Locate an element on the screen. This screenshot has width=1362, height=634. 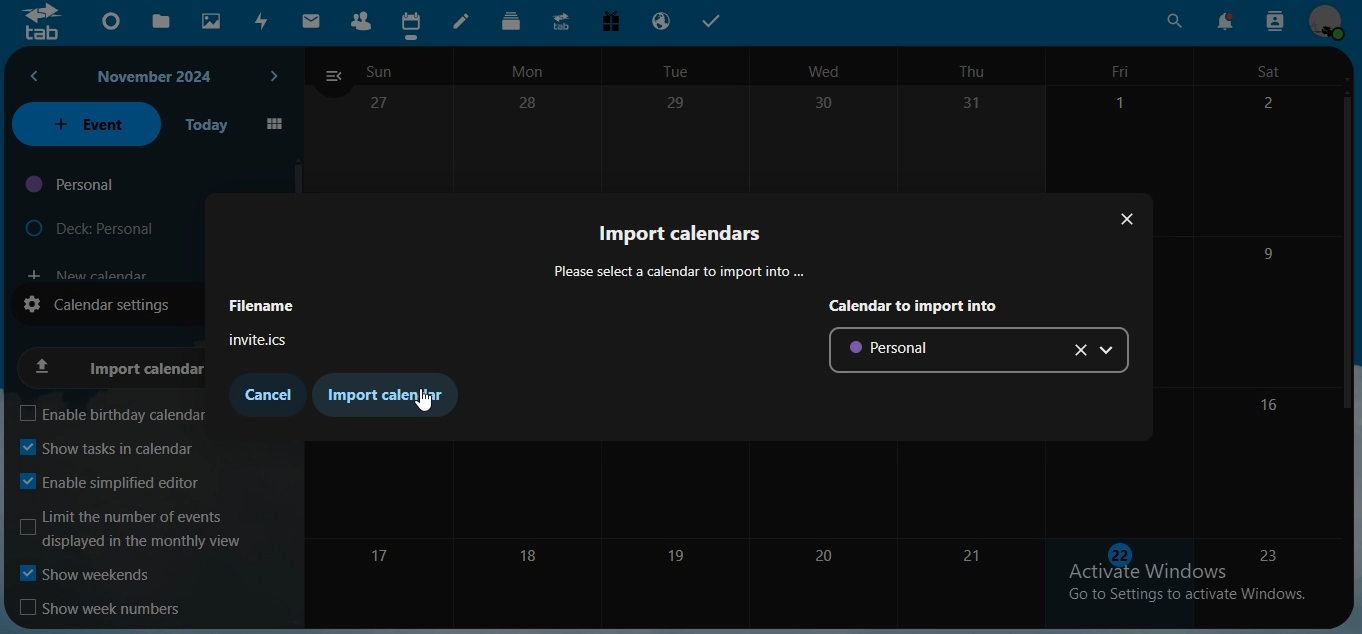
scrollbar is located at coordinates (1348, 250).